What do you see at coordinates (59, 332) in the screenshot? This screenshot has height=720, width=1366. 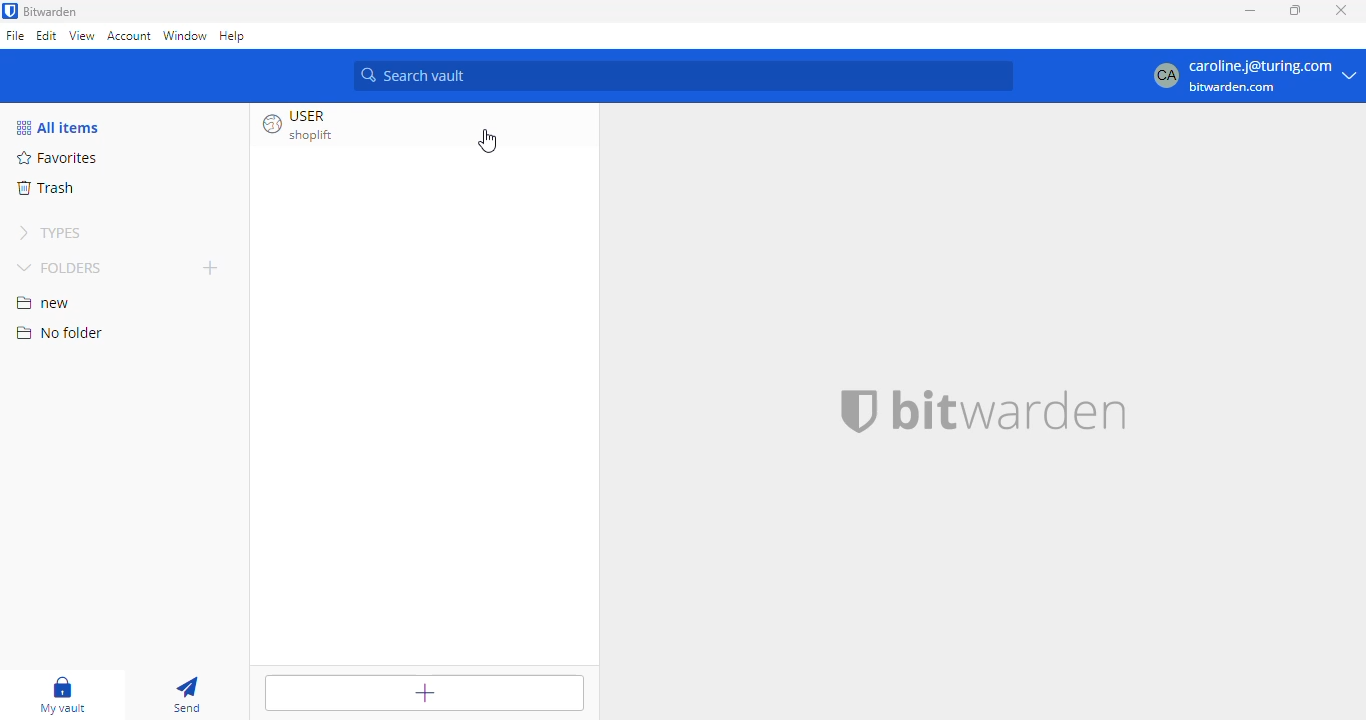 I see `no folder` at bounding box center [59, 332].